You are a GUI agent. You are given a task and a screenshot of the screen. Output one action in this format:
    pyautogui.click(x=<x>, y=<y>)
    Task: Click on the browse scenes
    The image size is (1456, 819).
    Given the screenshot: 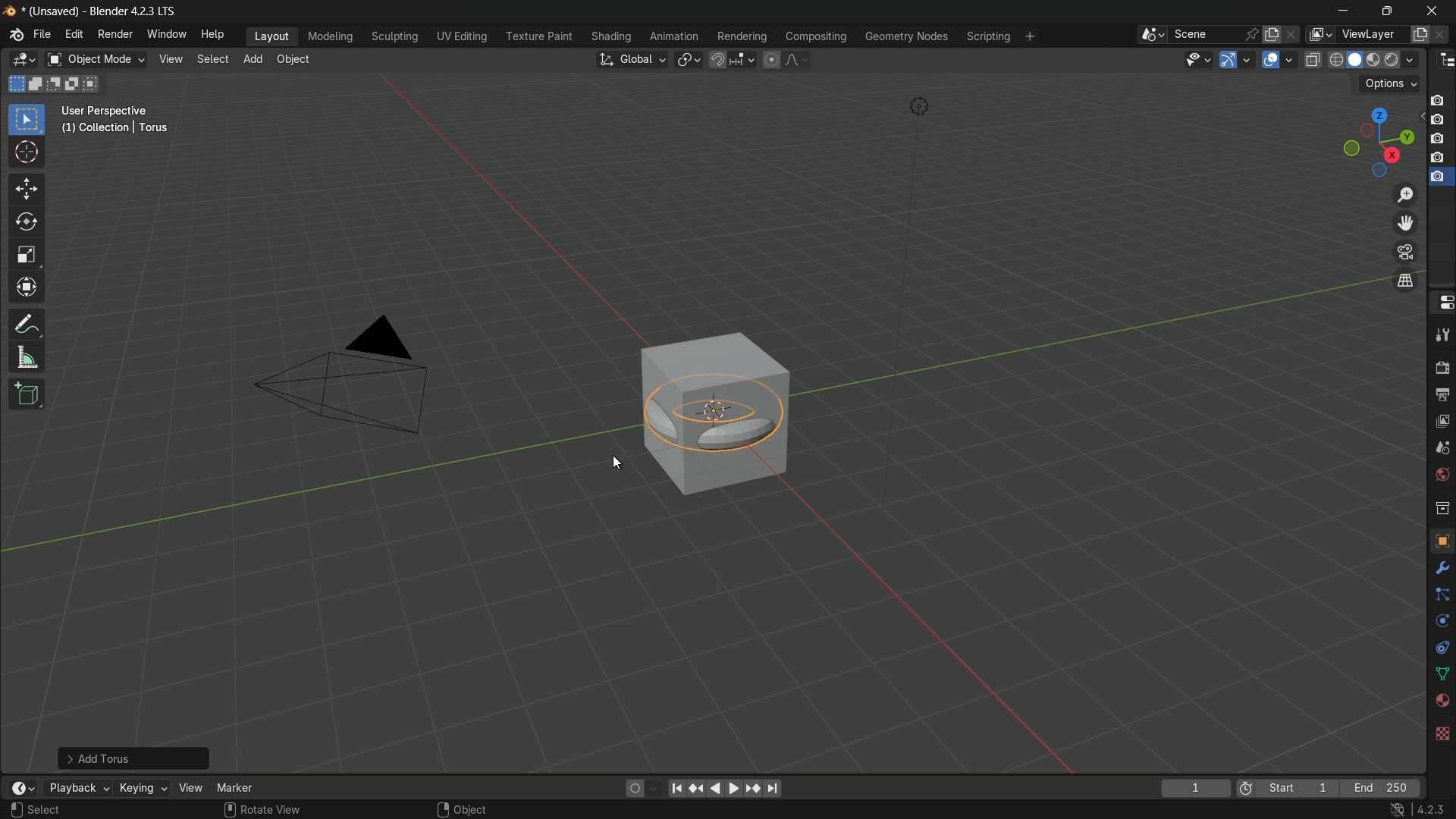 What is the action you would take?
    pyautogui.click(x=1153, y=35)
    